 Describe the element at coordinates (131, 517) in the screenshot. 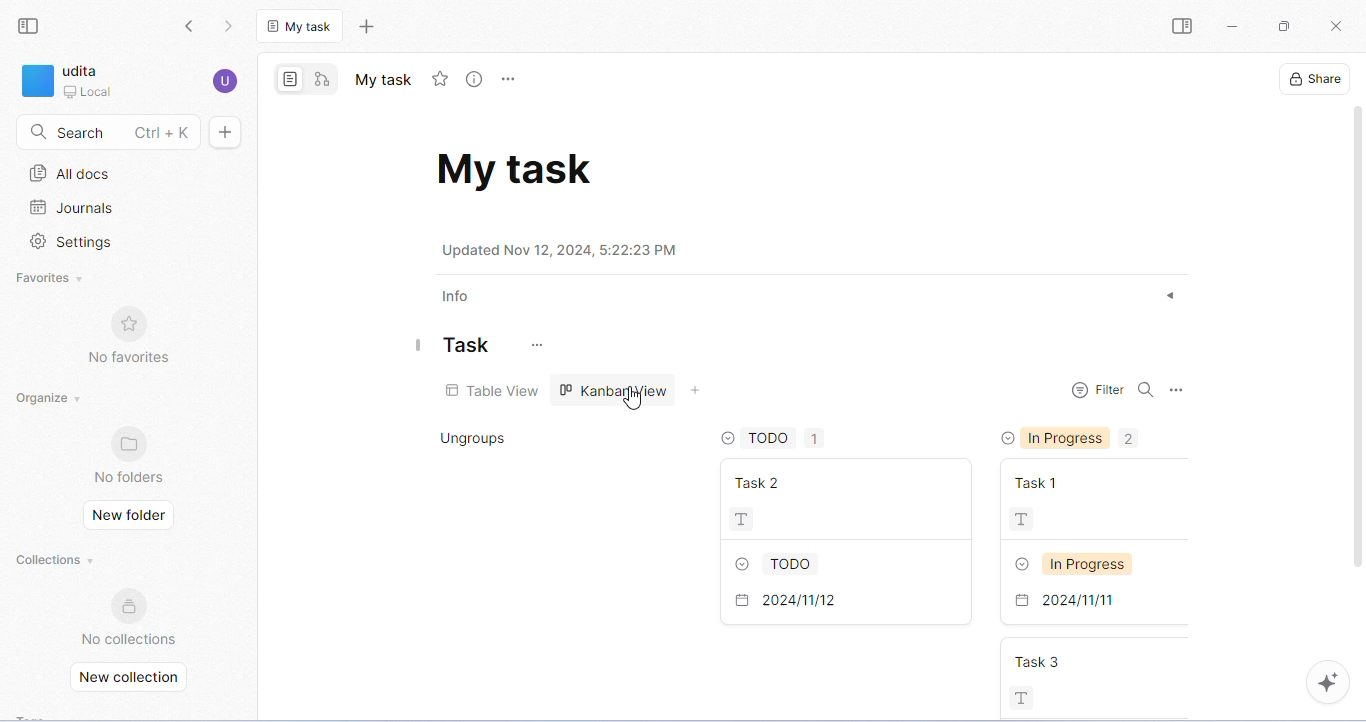

I see `new folder` at that location.